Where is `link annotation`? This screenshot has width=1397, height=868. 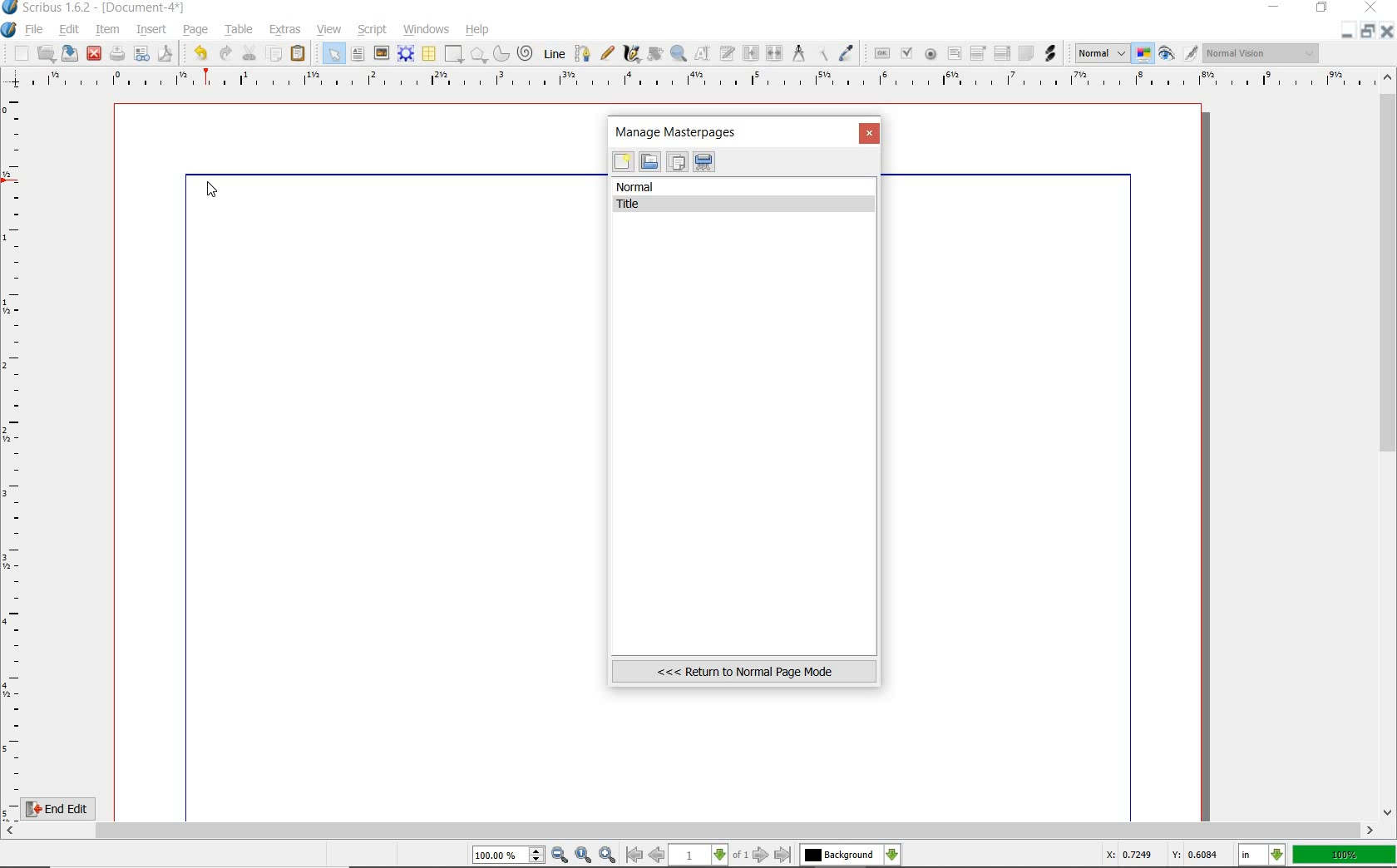
link annotation is located at coordinates (1050, 52).